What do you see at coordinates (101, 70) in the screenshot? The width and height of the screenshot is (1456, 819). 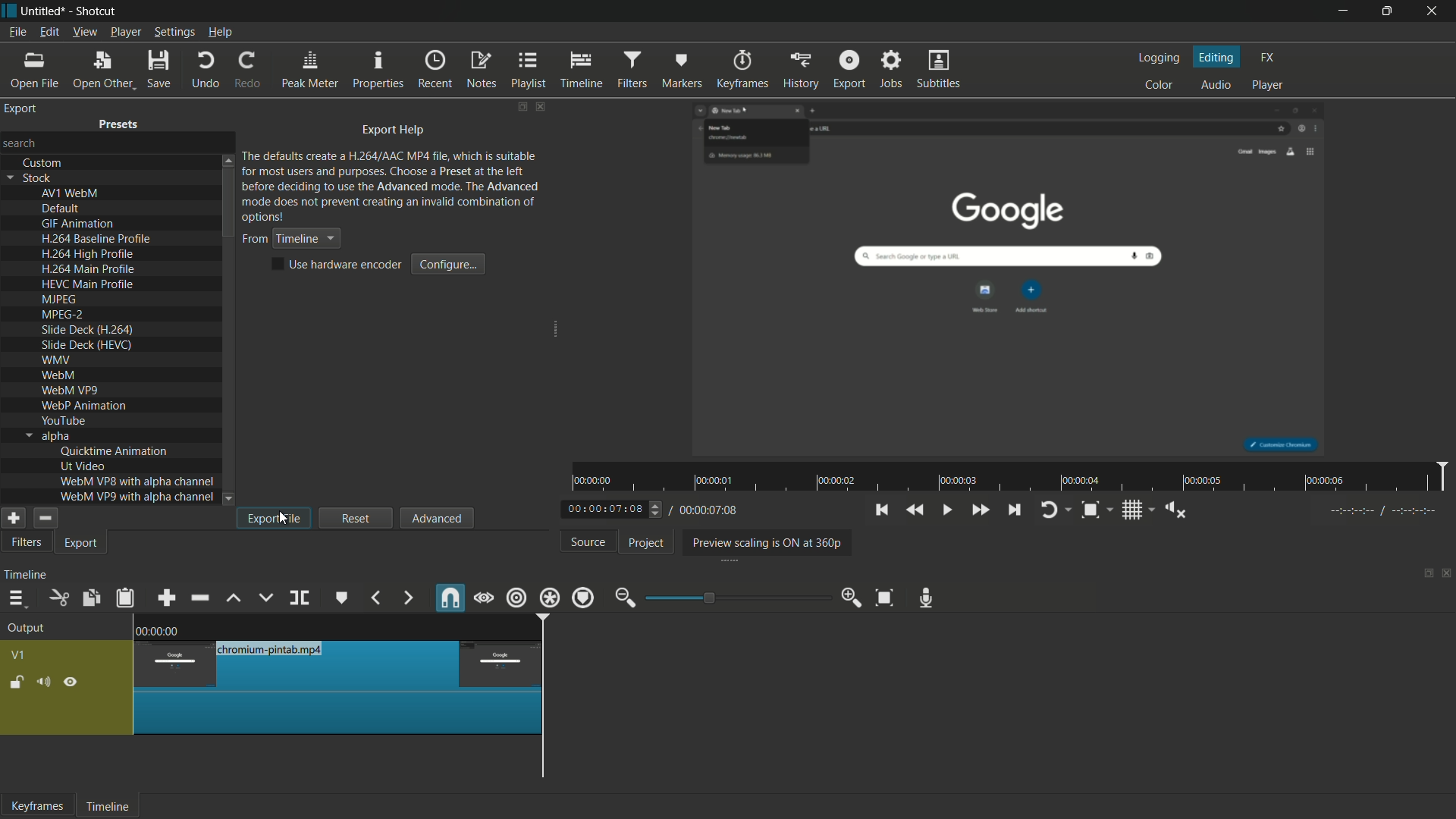 I see `open other` at bounding box center [101, 70].